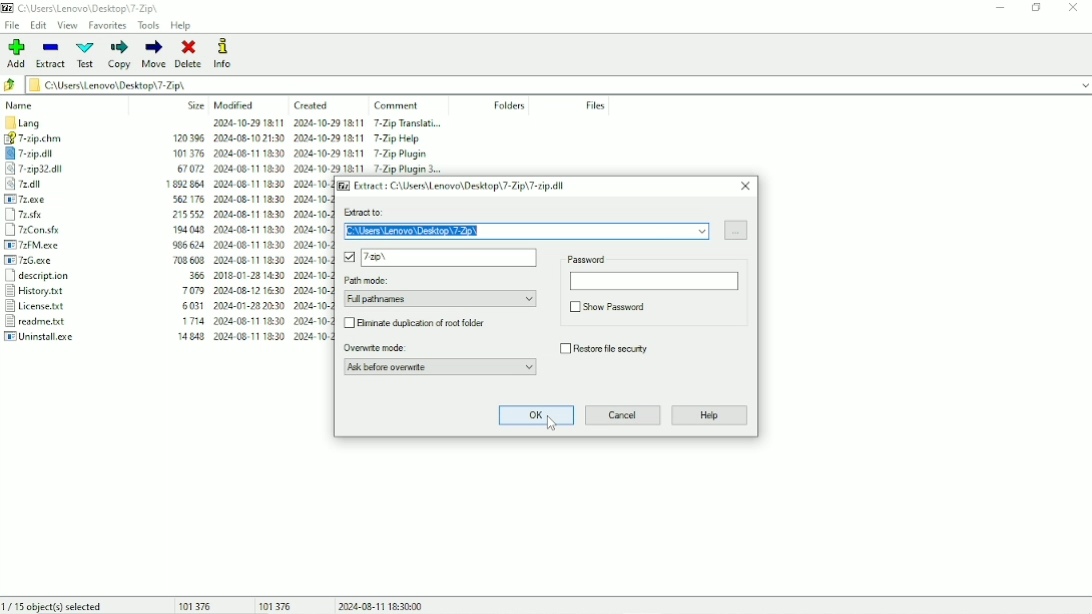 The height and width of the screenshot is (614, 1092). What do you see at coordinates (551, 424) in the screenshot?
I see `cursor` at bounding box center [551, 424].